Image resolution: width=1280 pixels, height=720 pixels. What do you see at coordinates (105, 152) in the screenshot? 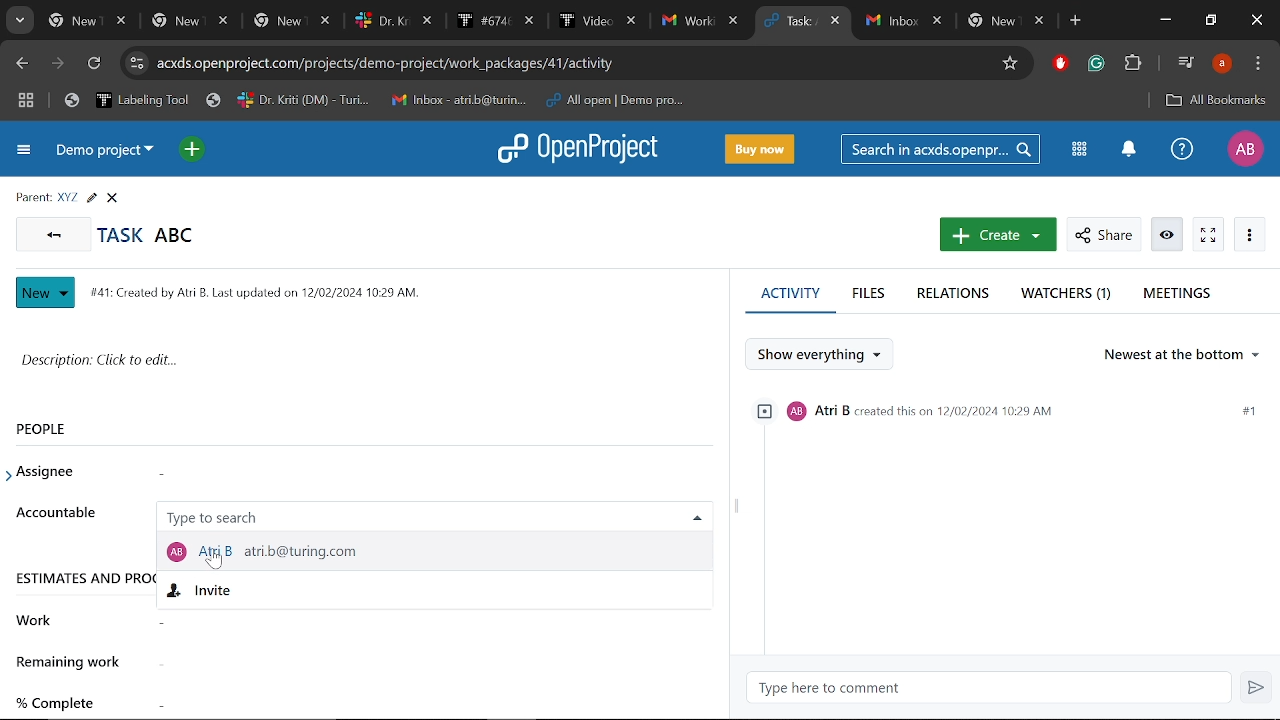
I see `Current project` at bounding box center [105, 152].